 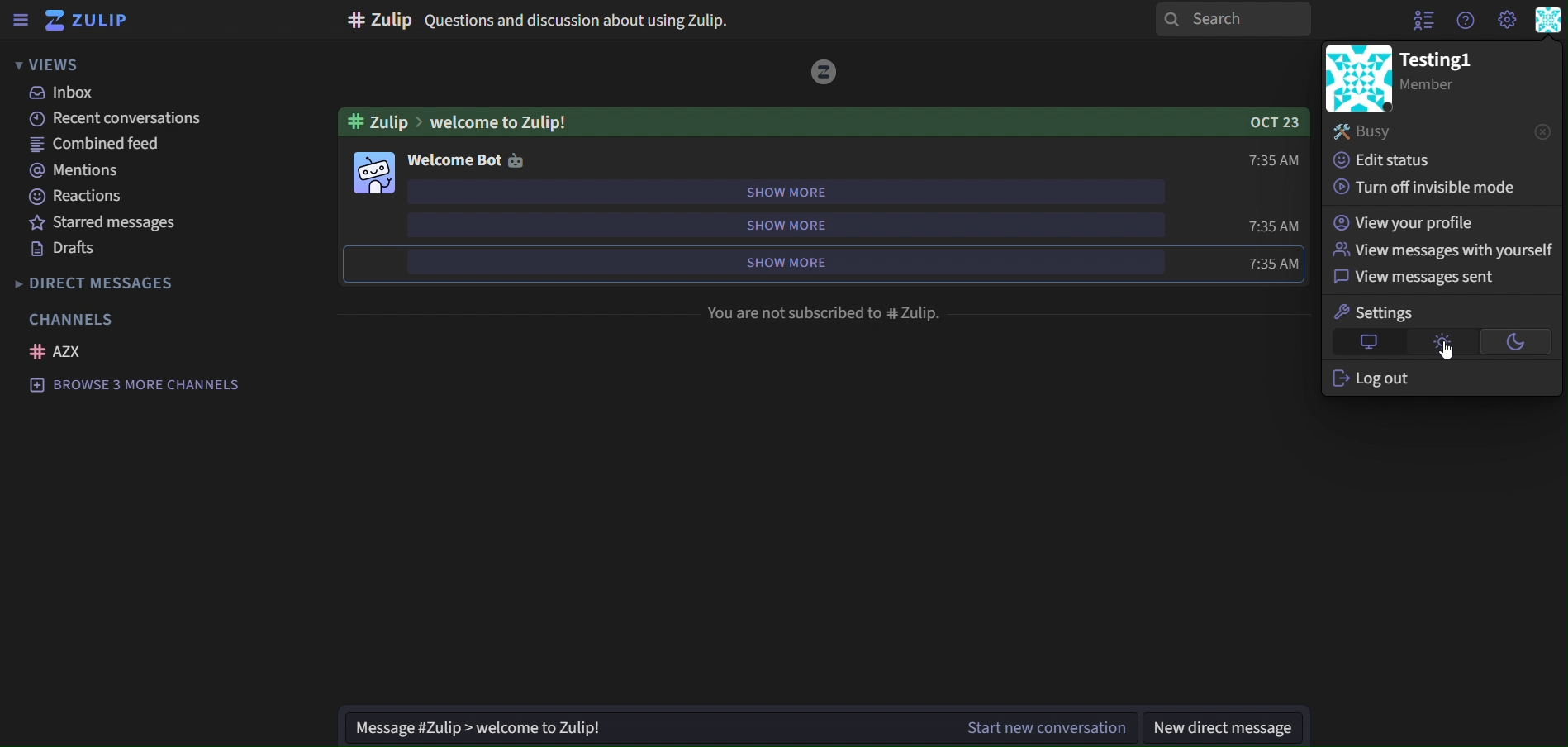 I want to click on channels, so click(x=79, y=321).